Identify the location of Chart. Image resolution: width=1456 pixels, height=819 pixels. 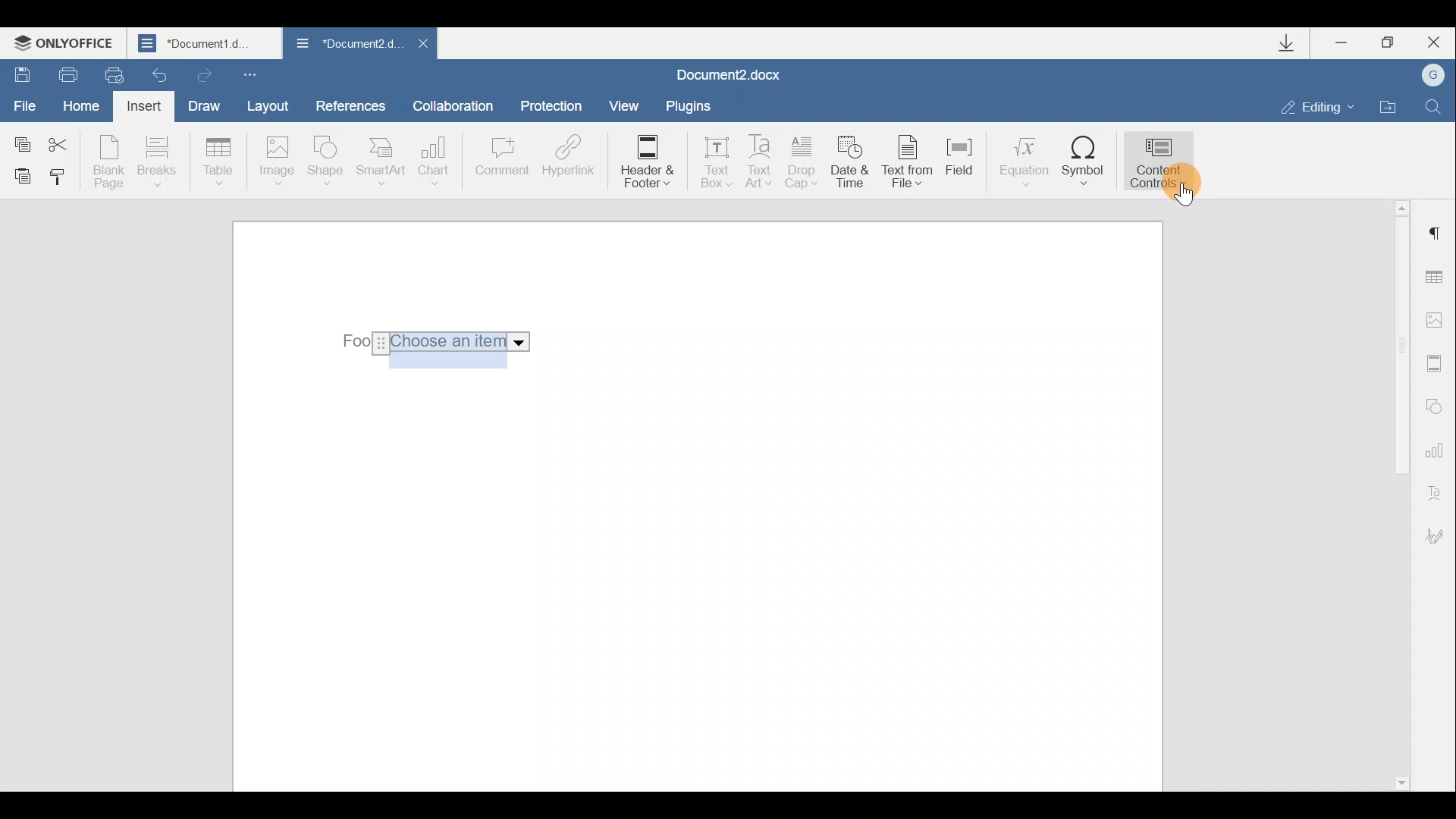
(437, 161).